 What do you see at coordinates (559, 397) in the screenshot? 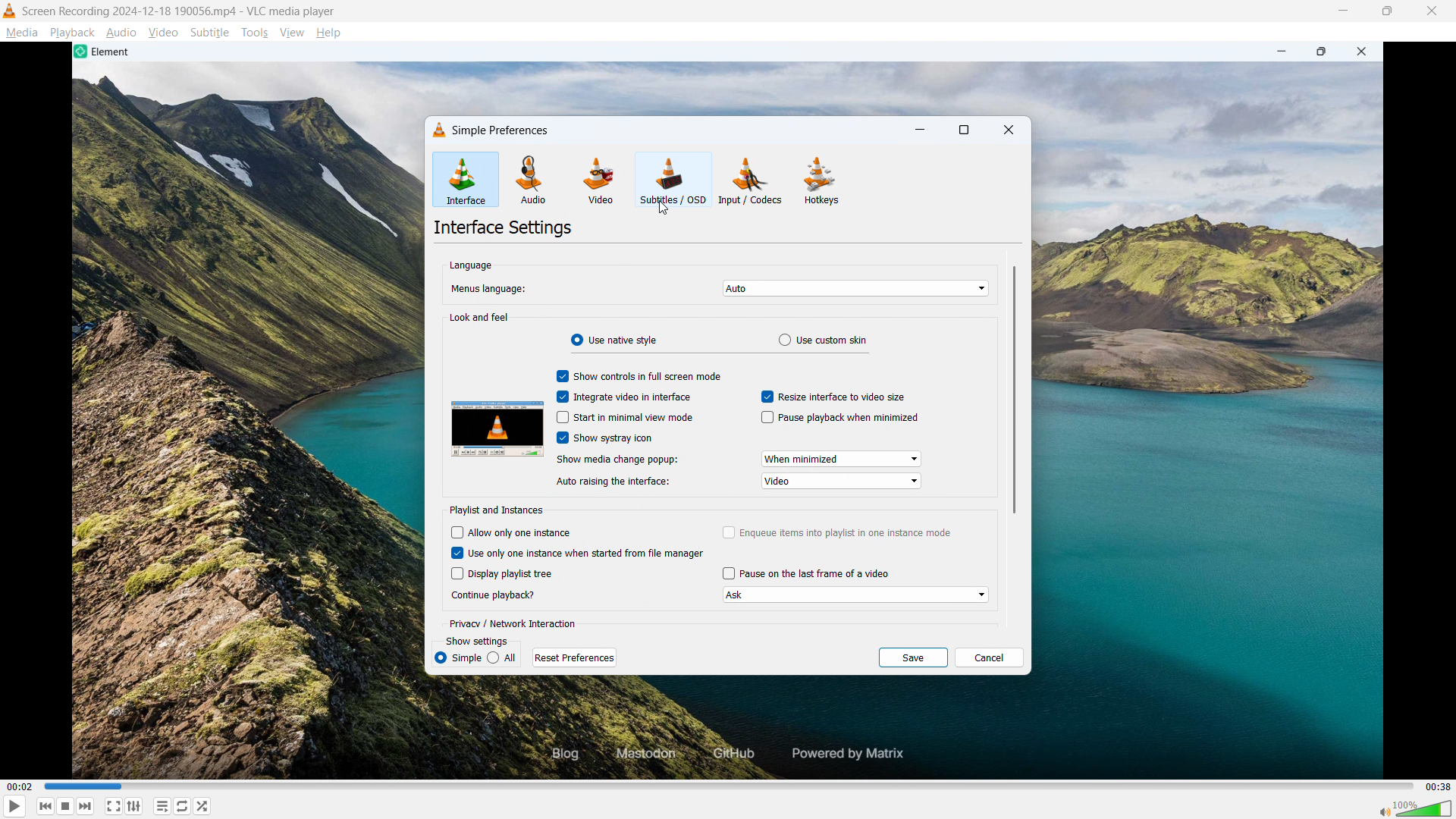
I see `checkbox` at bounding box center [559, 397].